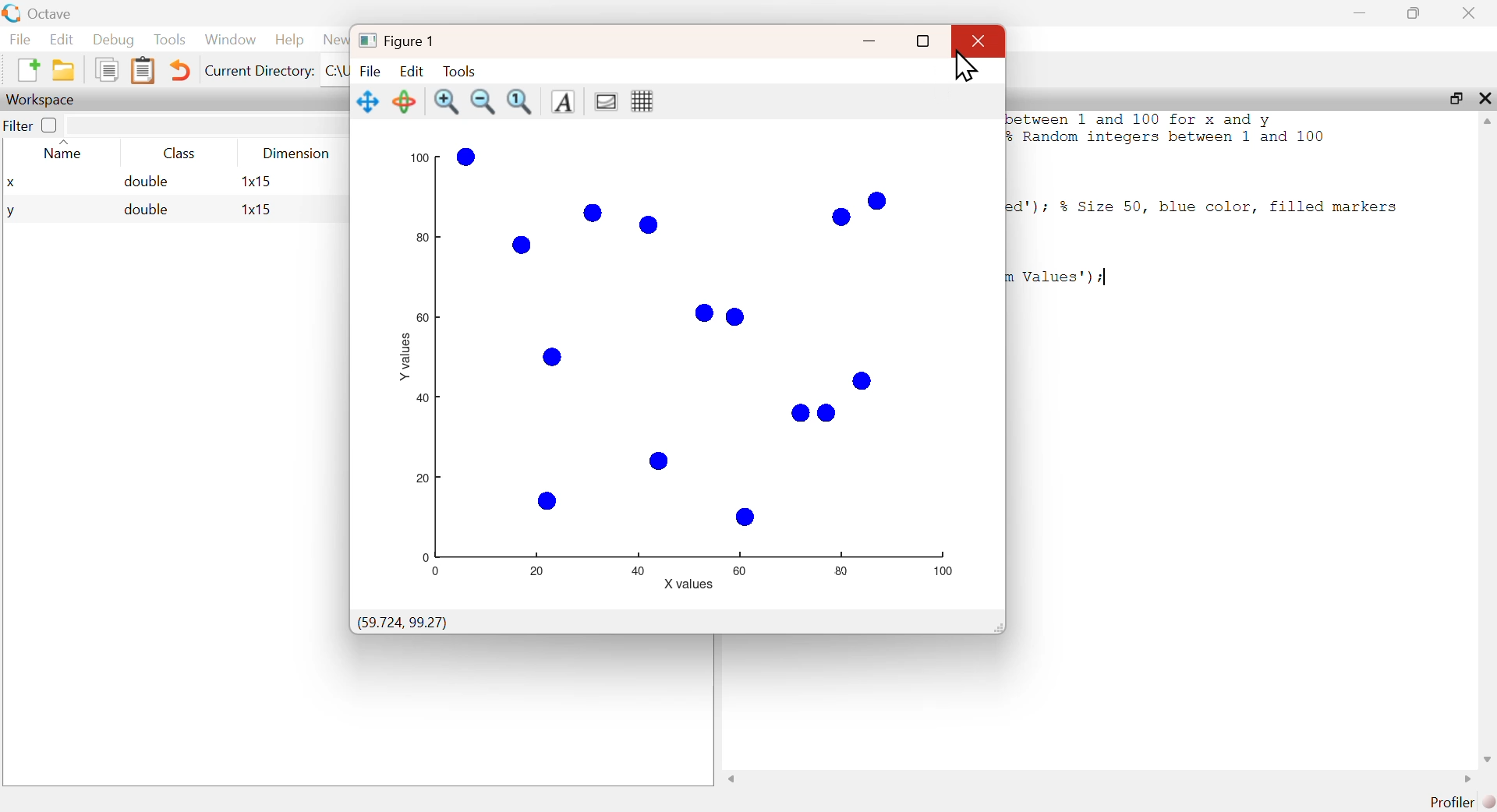  What do you see at coordinates (19, 39) in the screenshot?
I see `File` at bounding box center [19, 39].